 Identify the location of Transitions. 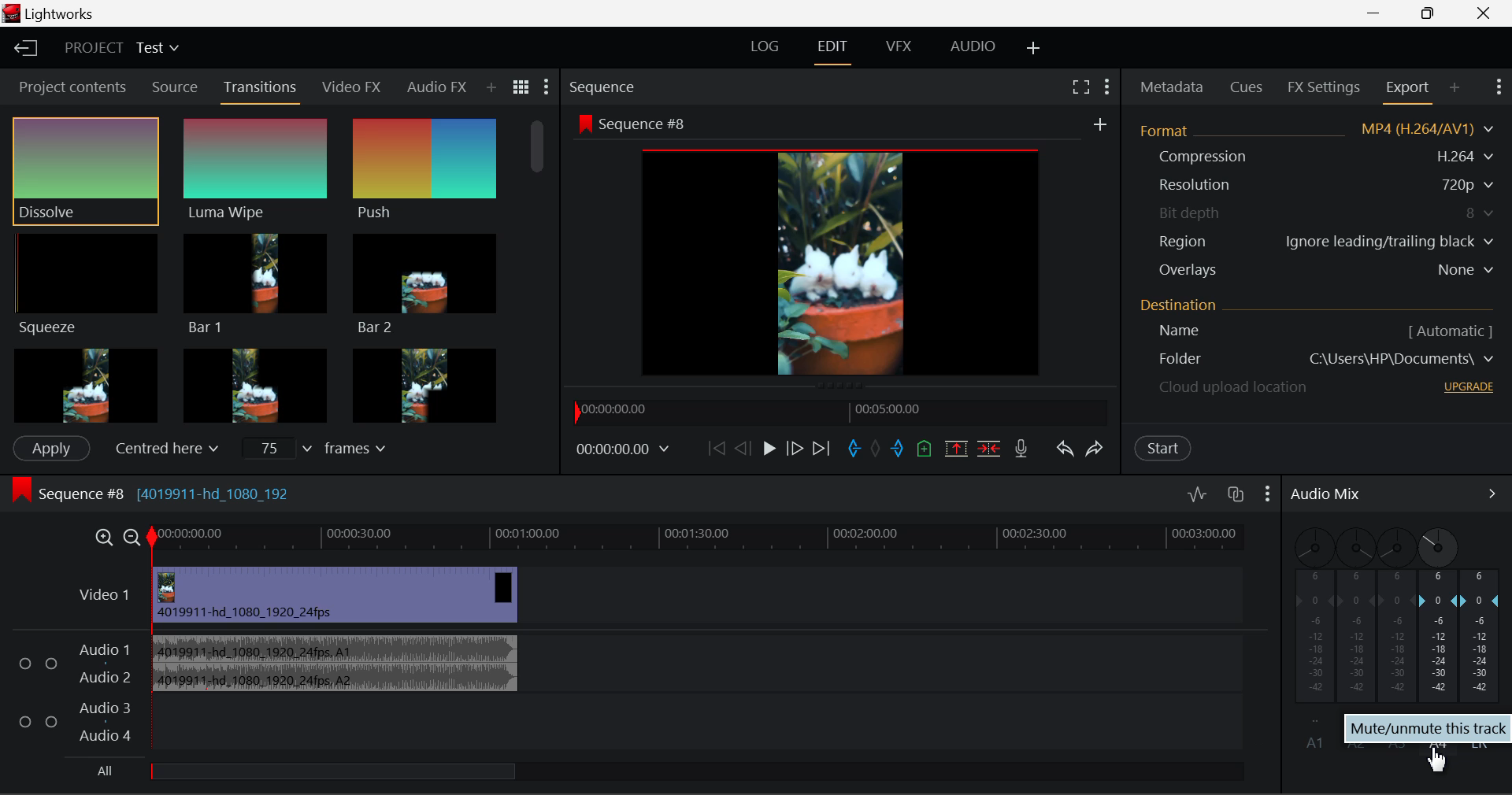
(258, 91).